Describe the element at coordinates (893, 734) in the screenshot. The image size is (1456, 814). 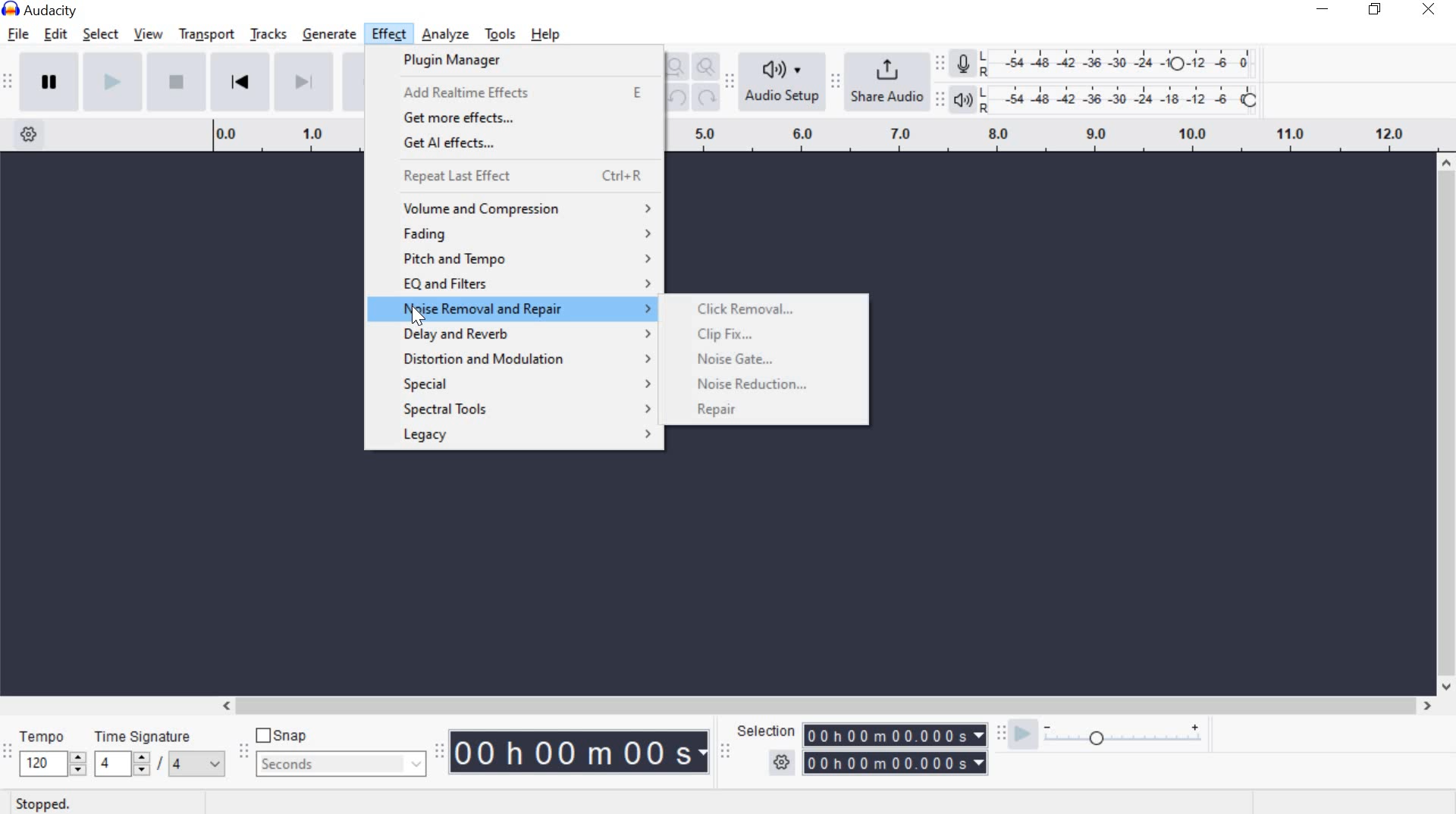
I see `selection time` at that location.